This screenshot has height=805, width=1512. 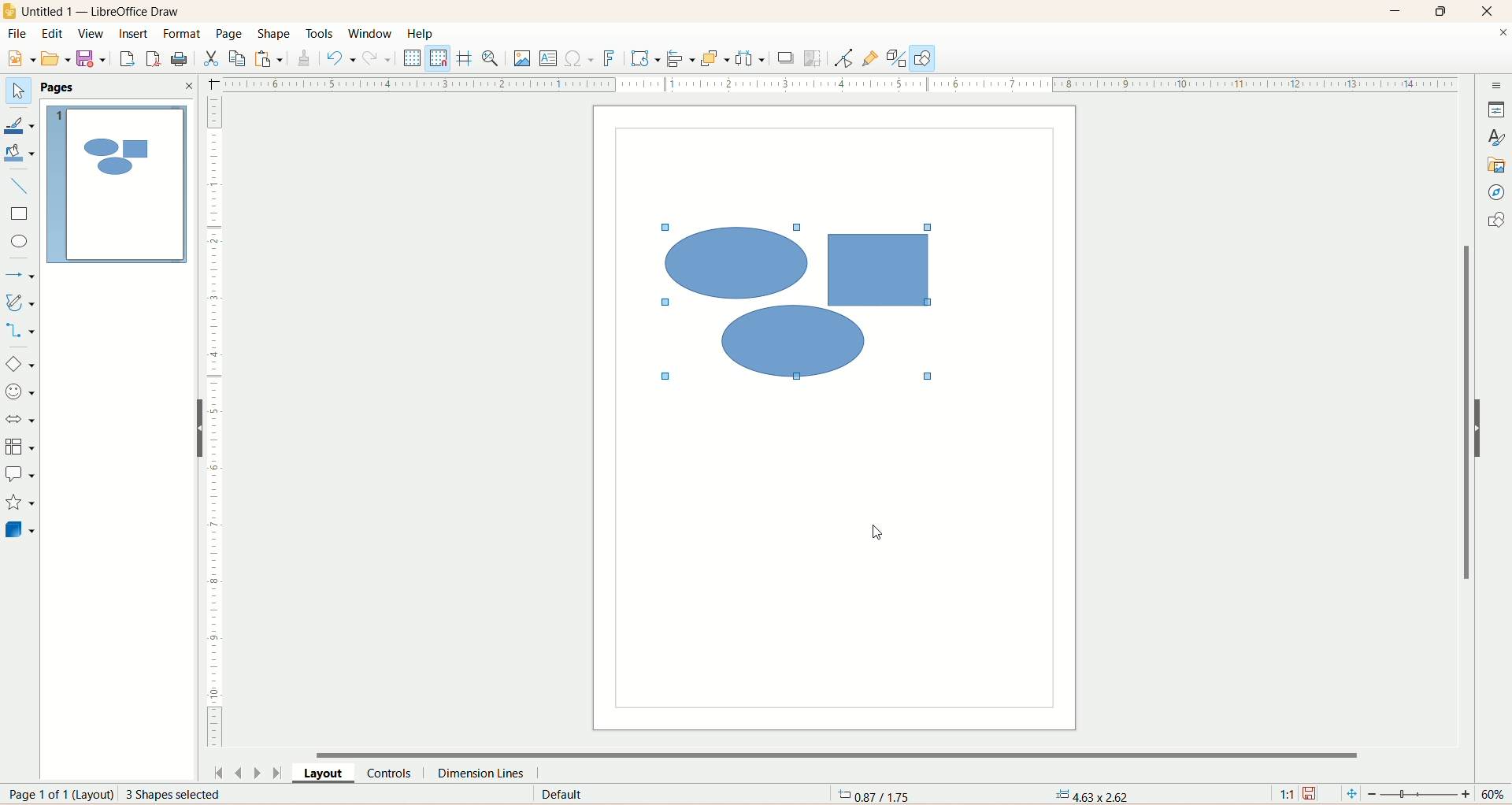 I want to click on rectangle, so click(x=20, y=215).